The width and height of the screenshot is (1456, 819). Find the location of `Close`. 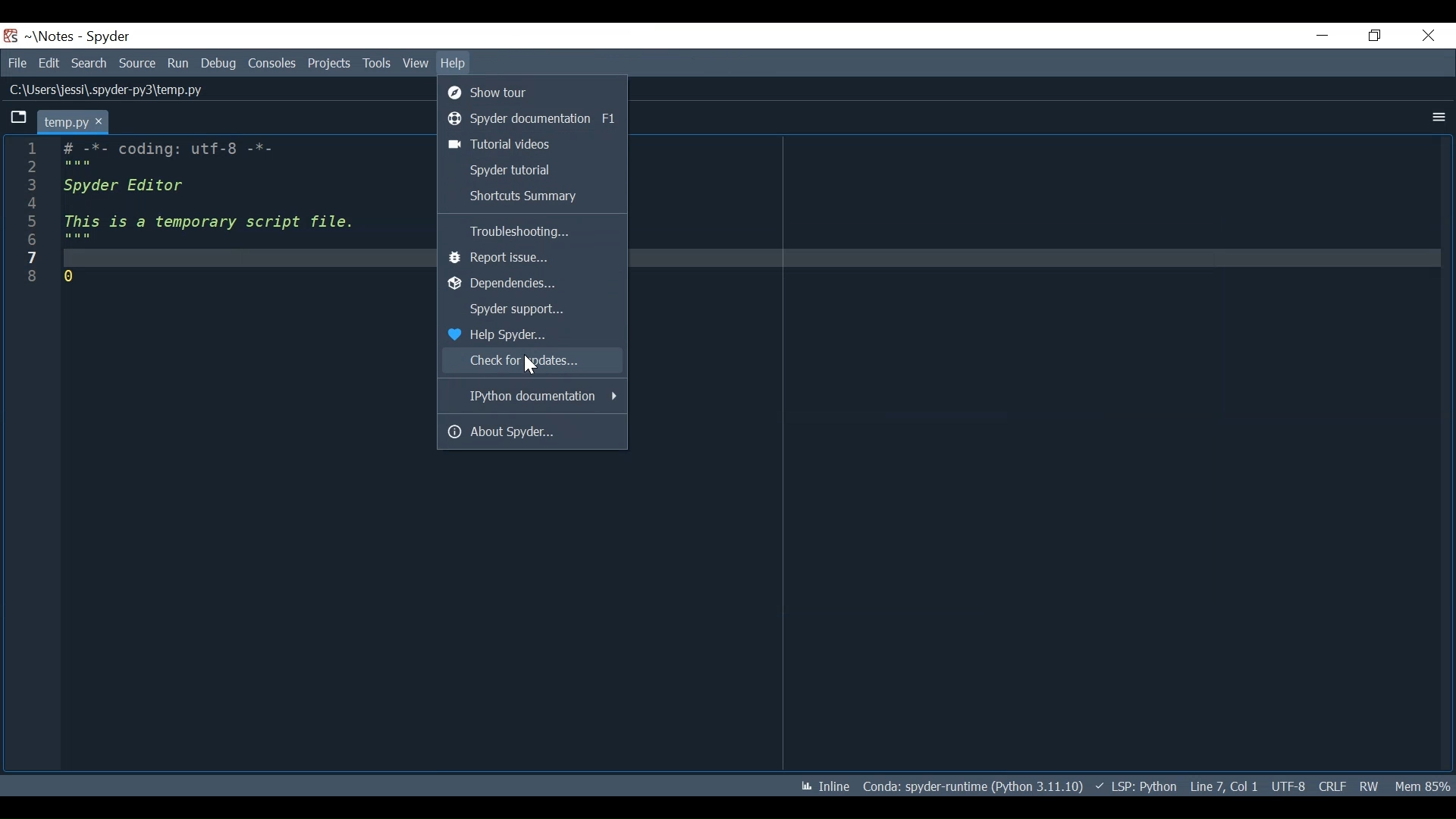

Close is located at coordinates (1428, 34).